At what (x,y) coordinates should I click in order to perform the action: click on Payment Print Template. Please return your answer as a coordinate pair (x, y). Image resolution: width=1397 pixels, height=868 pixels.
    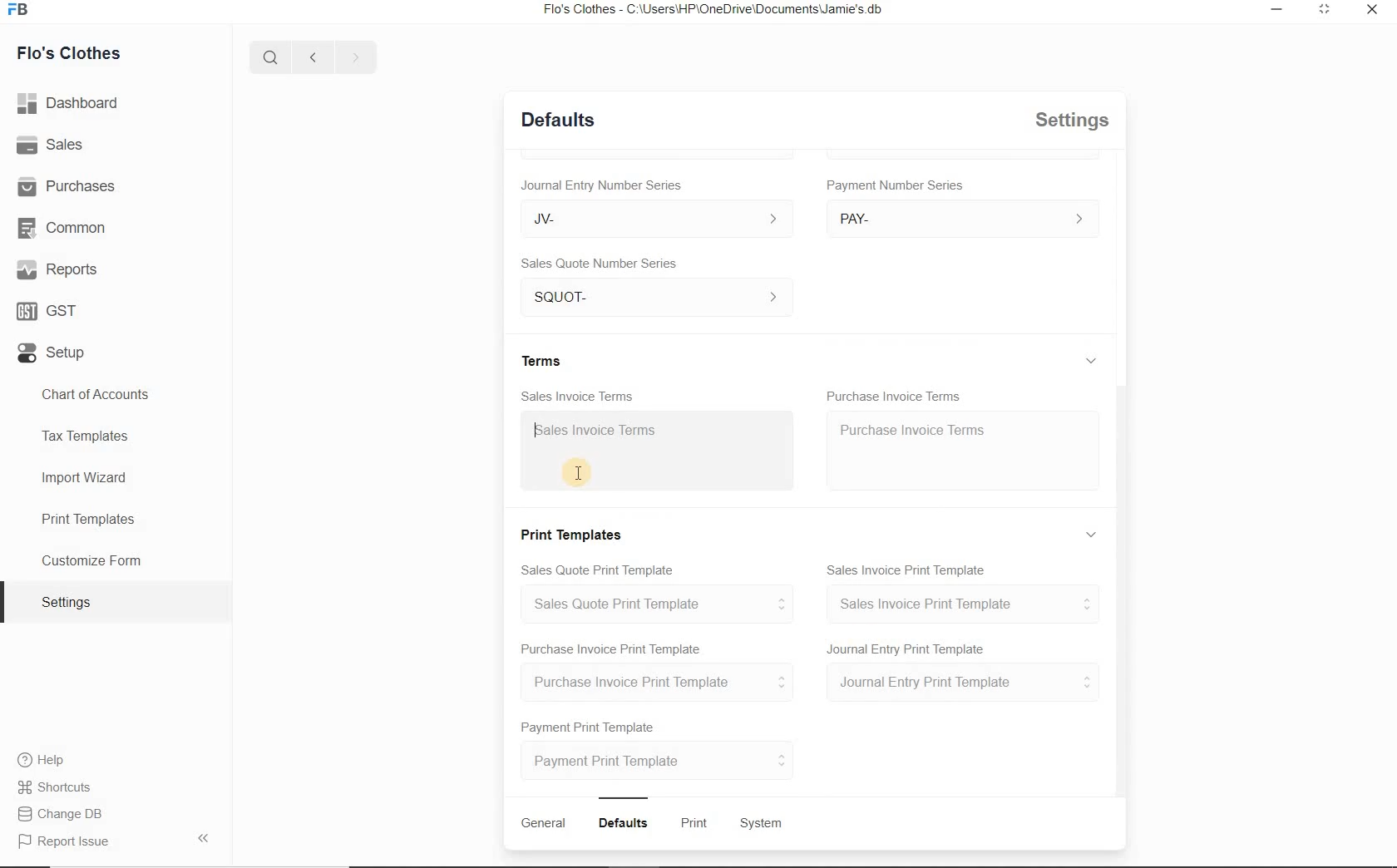
    Looking at the image, I should click on (590, 727).